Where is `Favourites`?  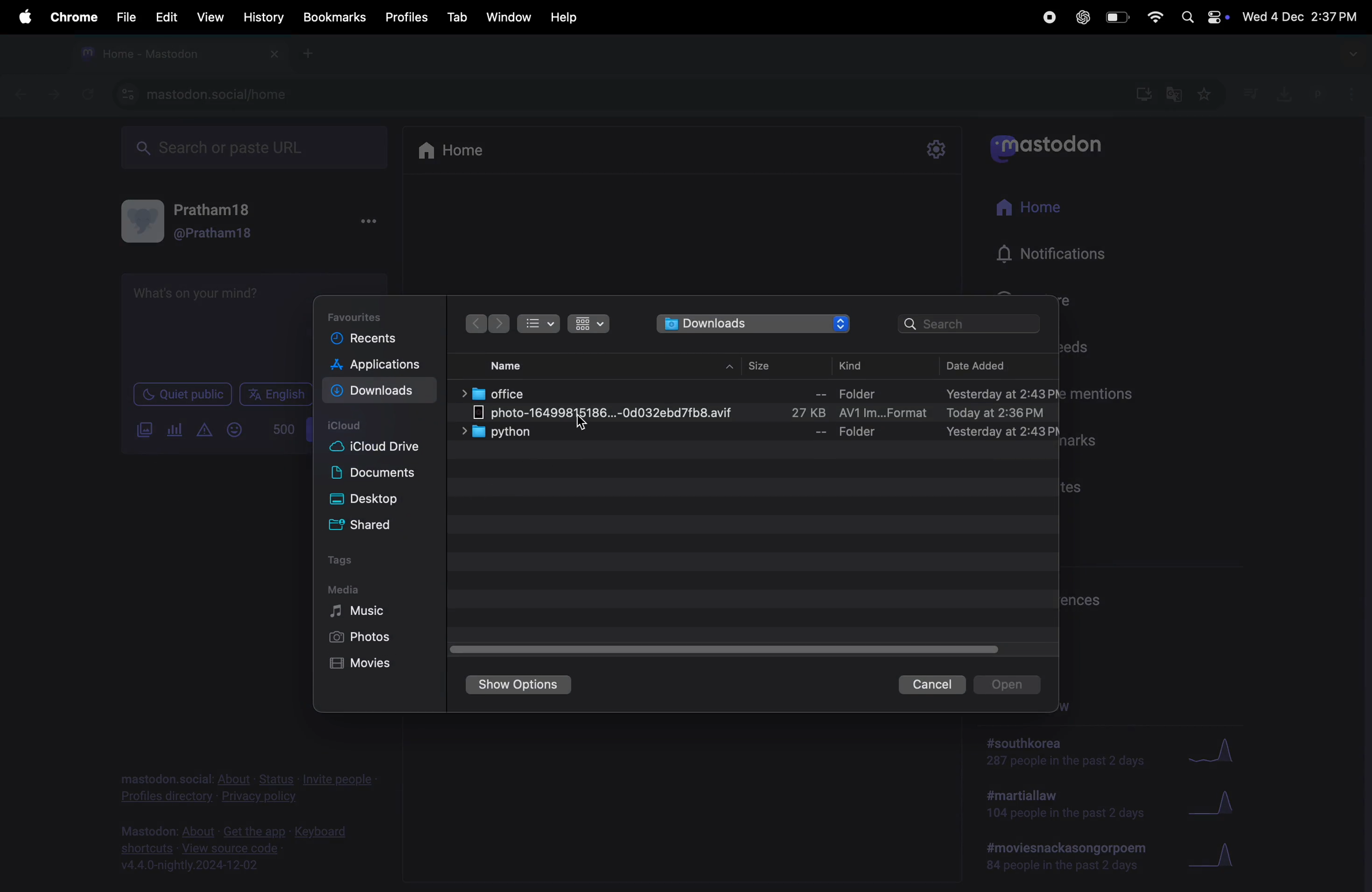 Favourites is located at coordinates (363, 315).